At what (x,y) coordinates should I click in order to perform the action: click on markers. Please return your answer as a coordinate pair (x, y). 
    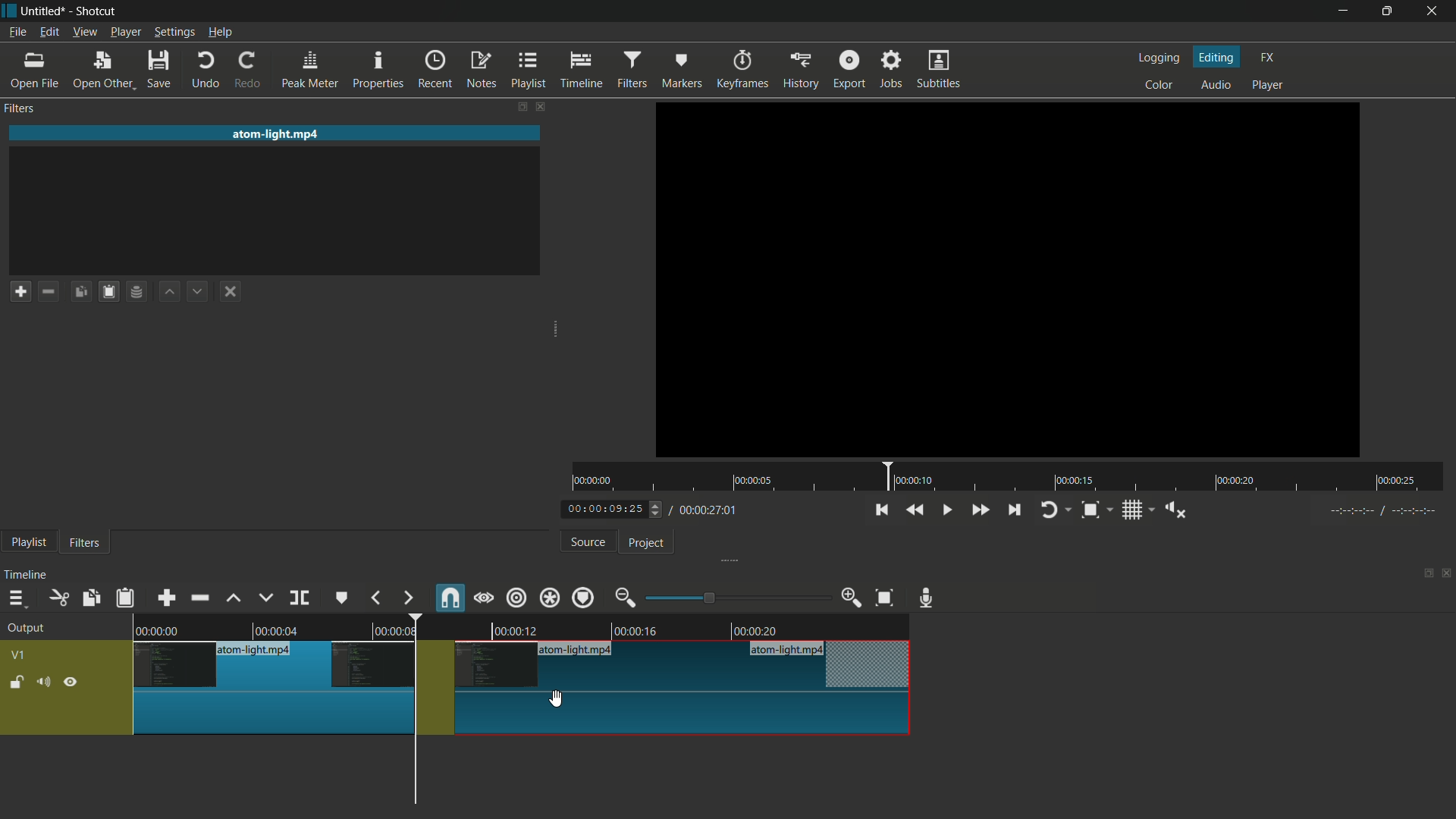
    Looking at the image, I should click on (682, 71).